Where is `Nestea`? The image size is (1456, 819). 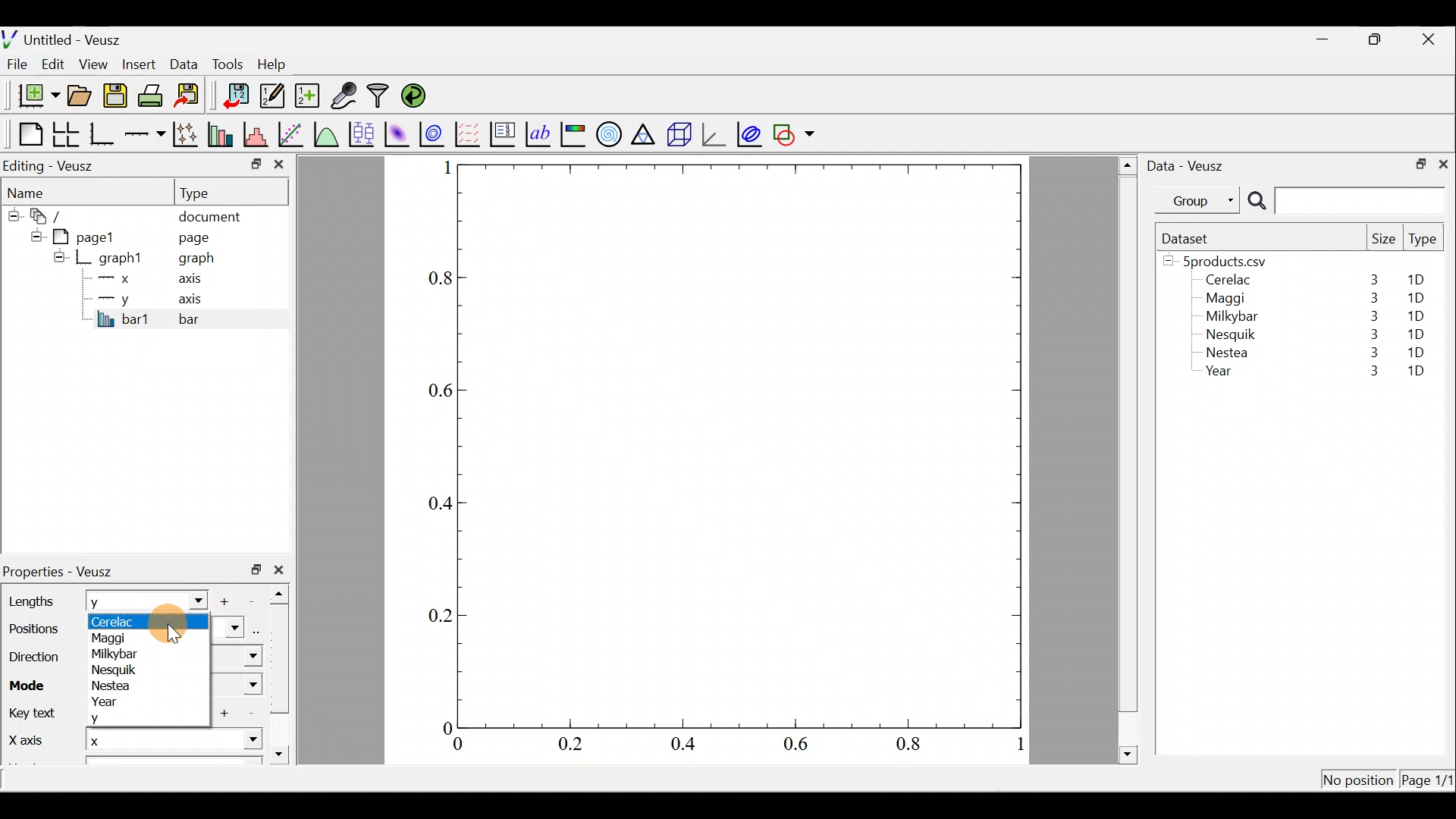 Nestea is located at coordinates (1228, 353).